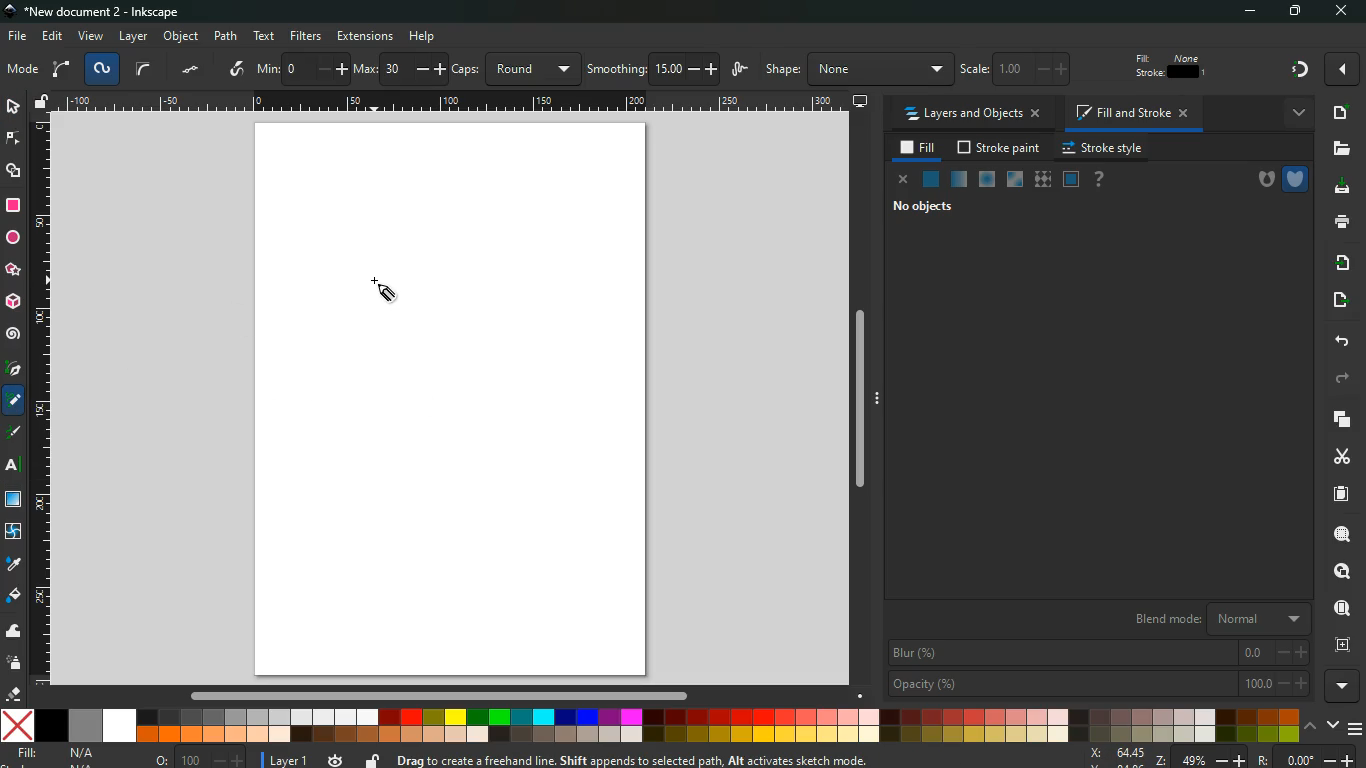 The height and width of the screenshot is (768, 1366). I want to click on mode, so click(23, 71).